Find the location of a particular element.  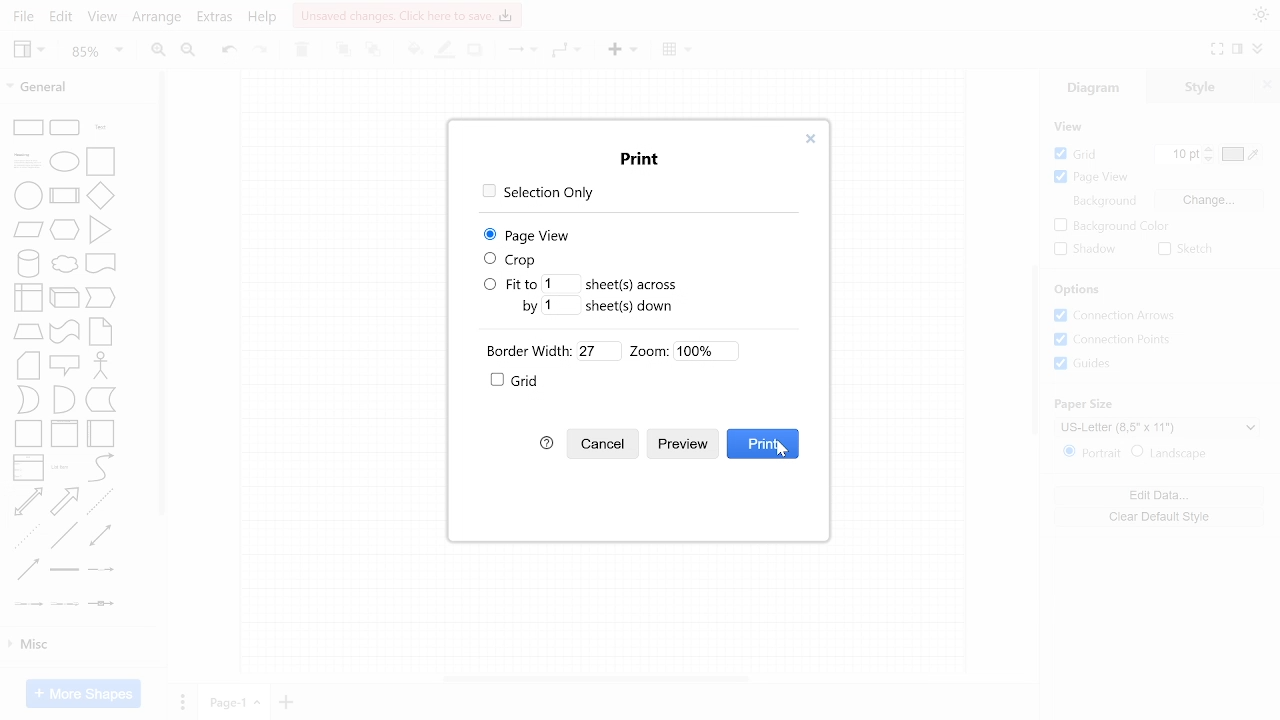

Square is located at coordinates (100, 162).